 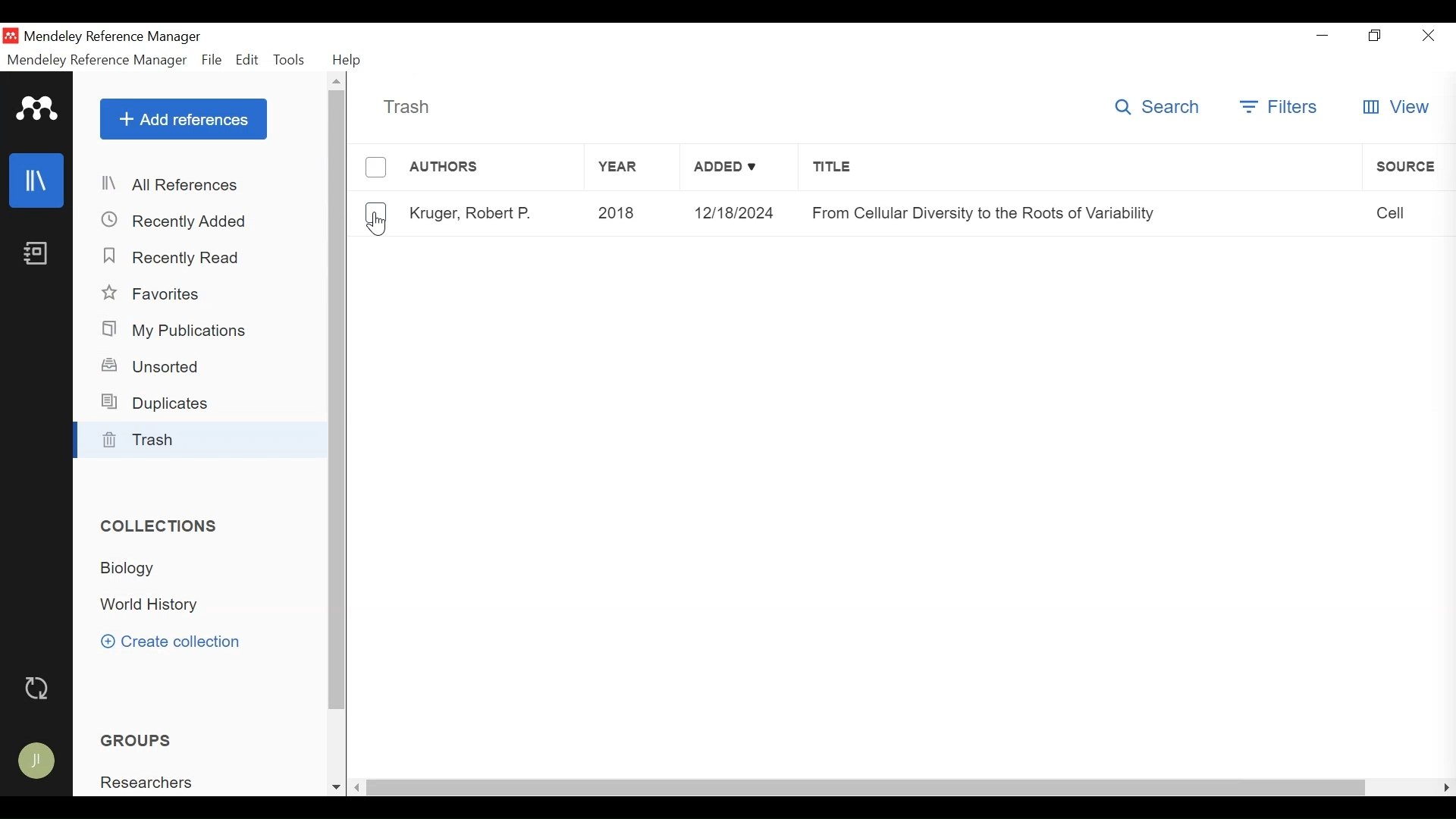 I want to click on Avatar, so click(x=42, y=761).